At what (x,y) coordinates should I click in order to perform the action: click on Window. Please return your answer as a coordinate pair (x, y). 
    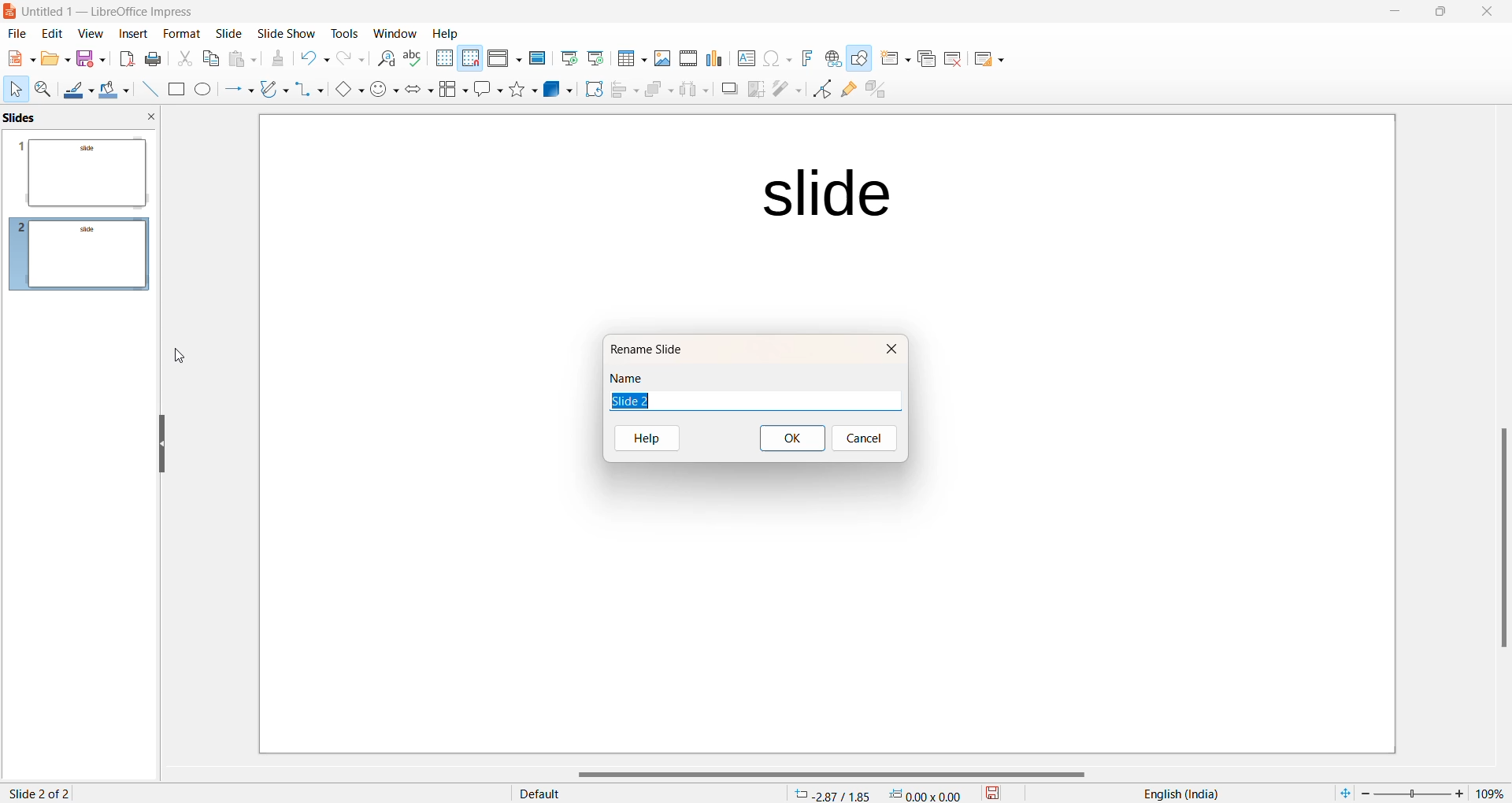
    Looking at the image, I should click on (391, 31).